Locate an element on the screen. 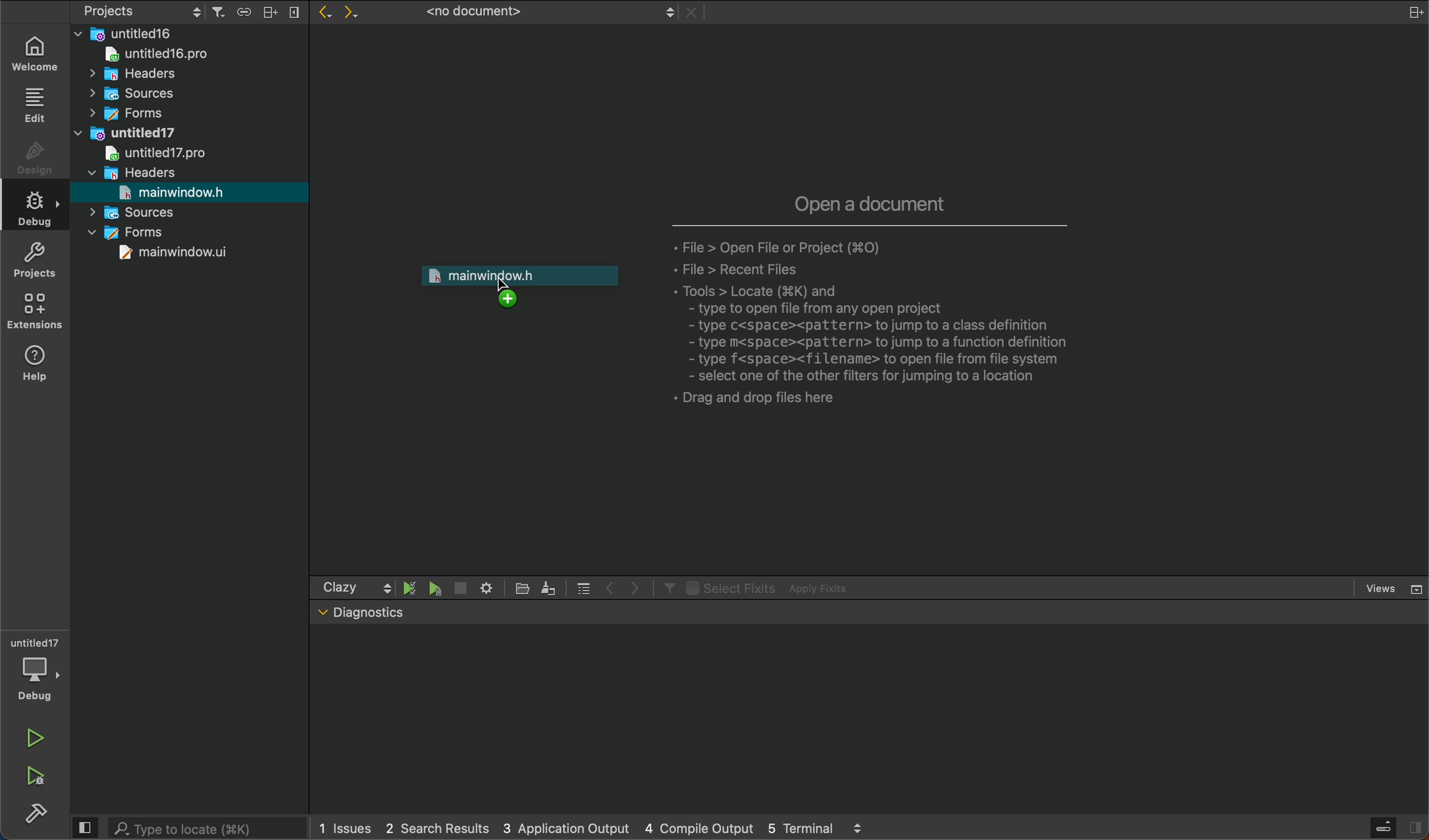 The width and height of the screenshot is (1429, 840). menu is located at coordinates (584, 587).